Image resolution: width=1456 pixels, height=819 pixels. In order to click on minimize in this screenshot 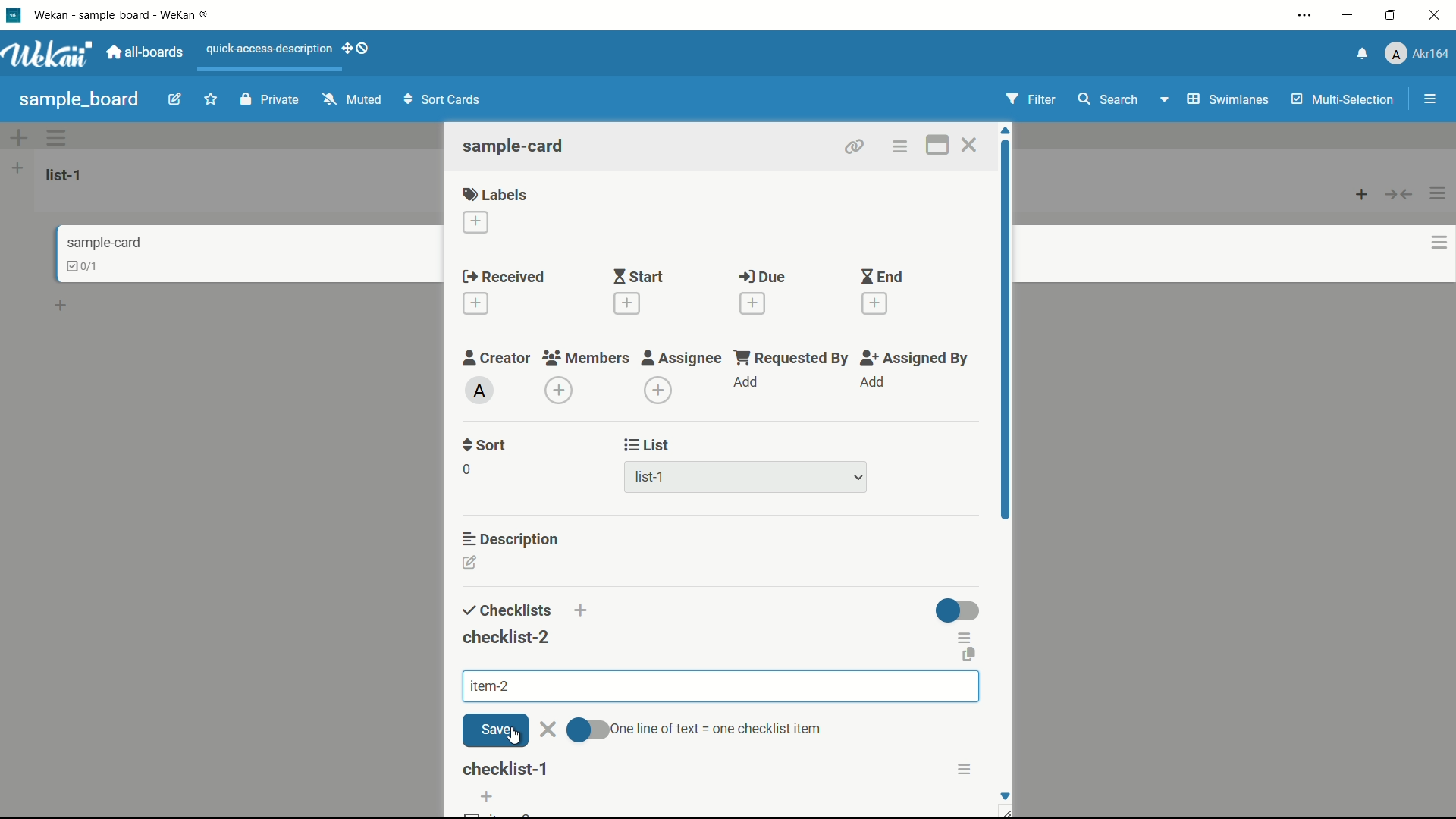, I will do `click(1346, 16)`.